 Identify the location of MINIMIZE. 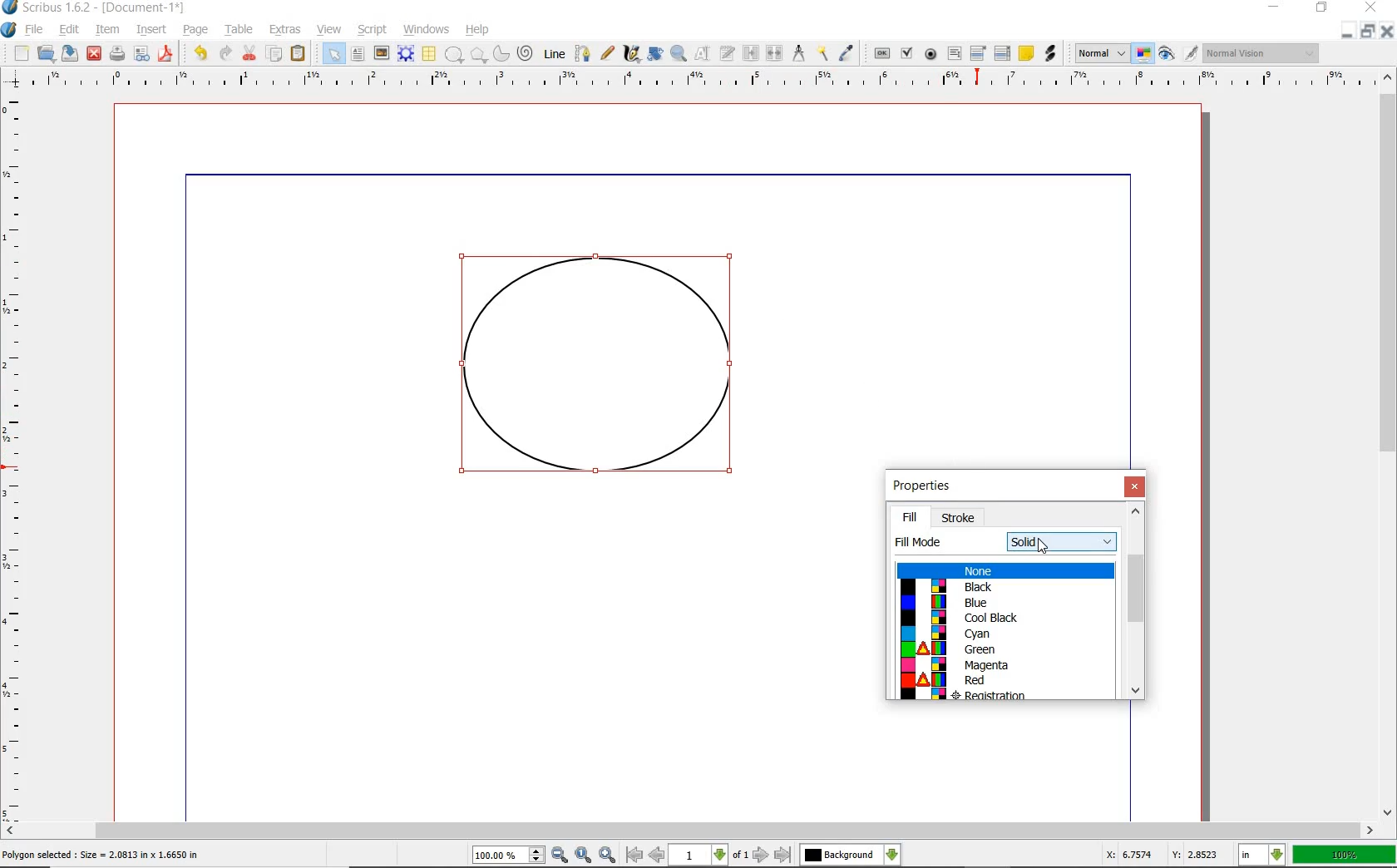
(1346, 32).